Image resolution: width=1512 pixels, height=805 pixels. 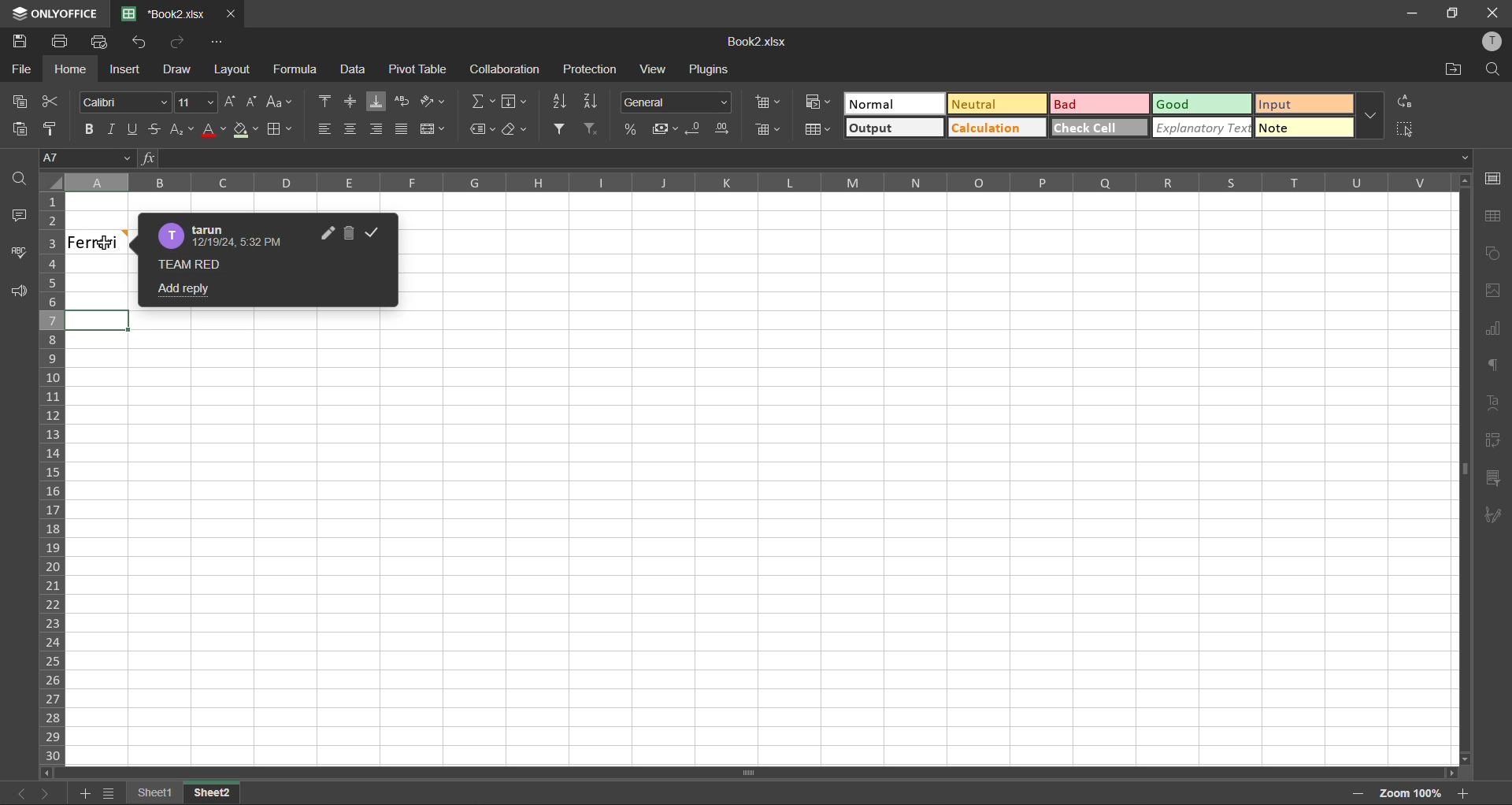 I want to click on plugins, so click(x=709, y=69).